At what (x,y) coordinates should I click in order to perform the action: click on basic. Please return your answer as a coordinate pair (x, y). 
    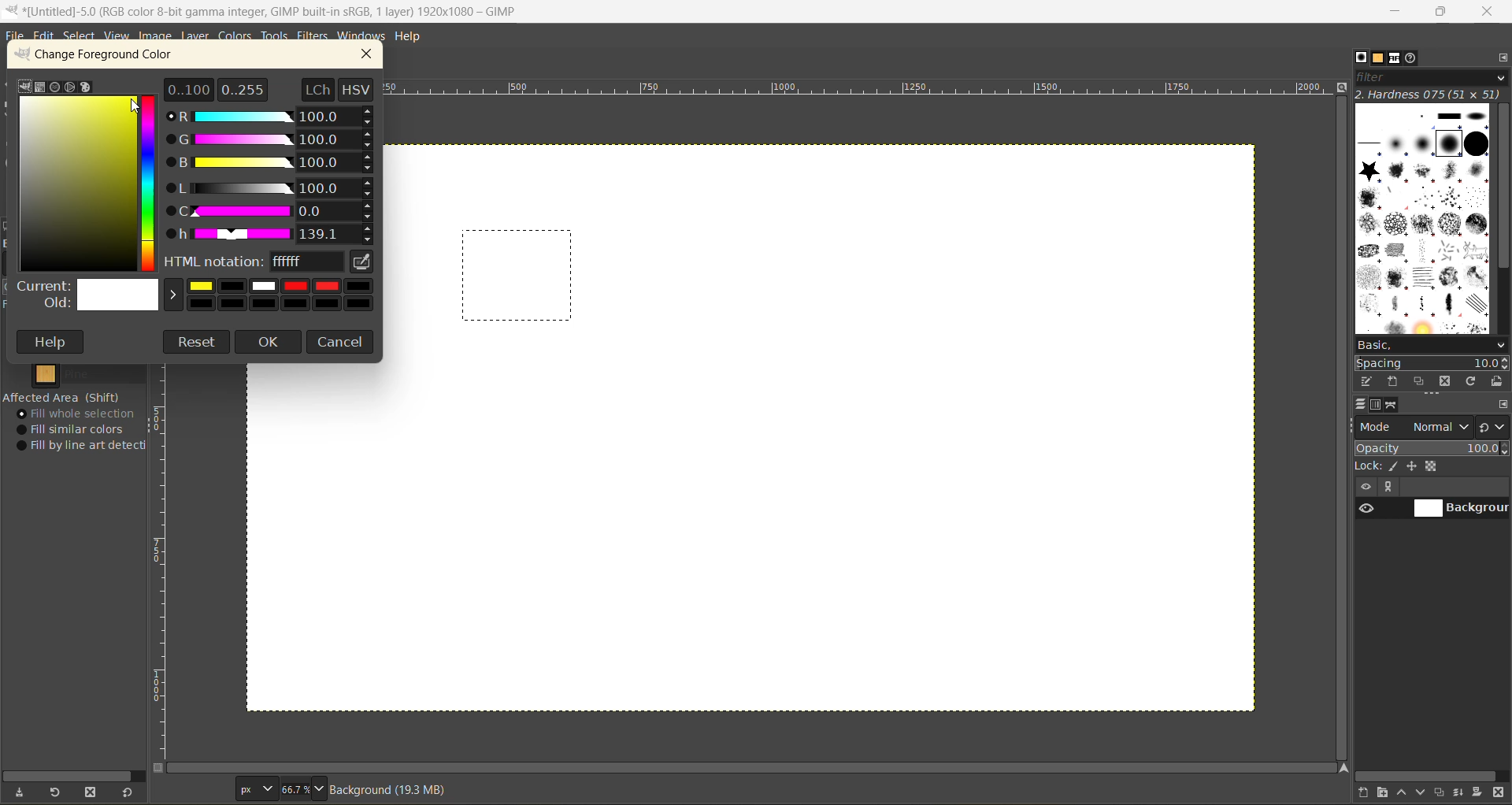
    Looking at the image, I should click on (1432, 343).